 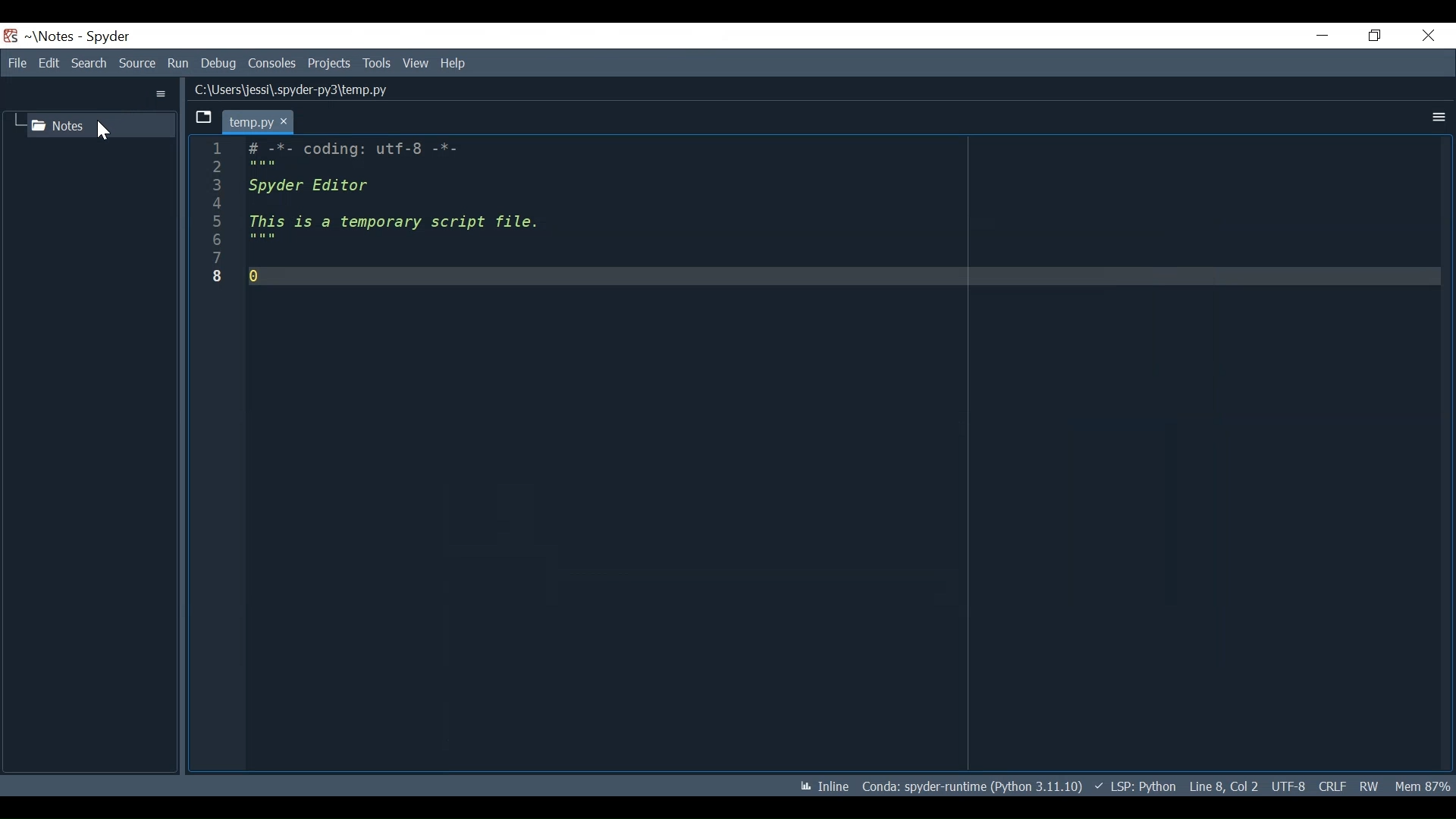 I want to click on View, so click(x=415, y=64).